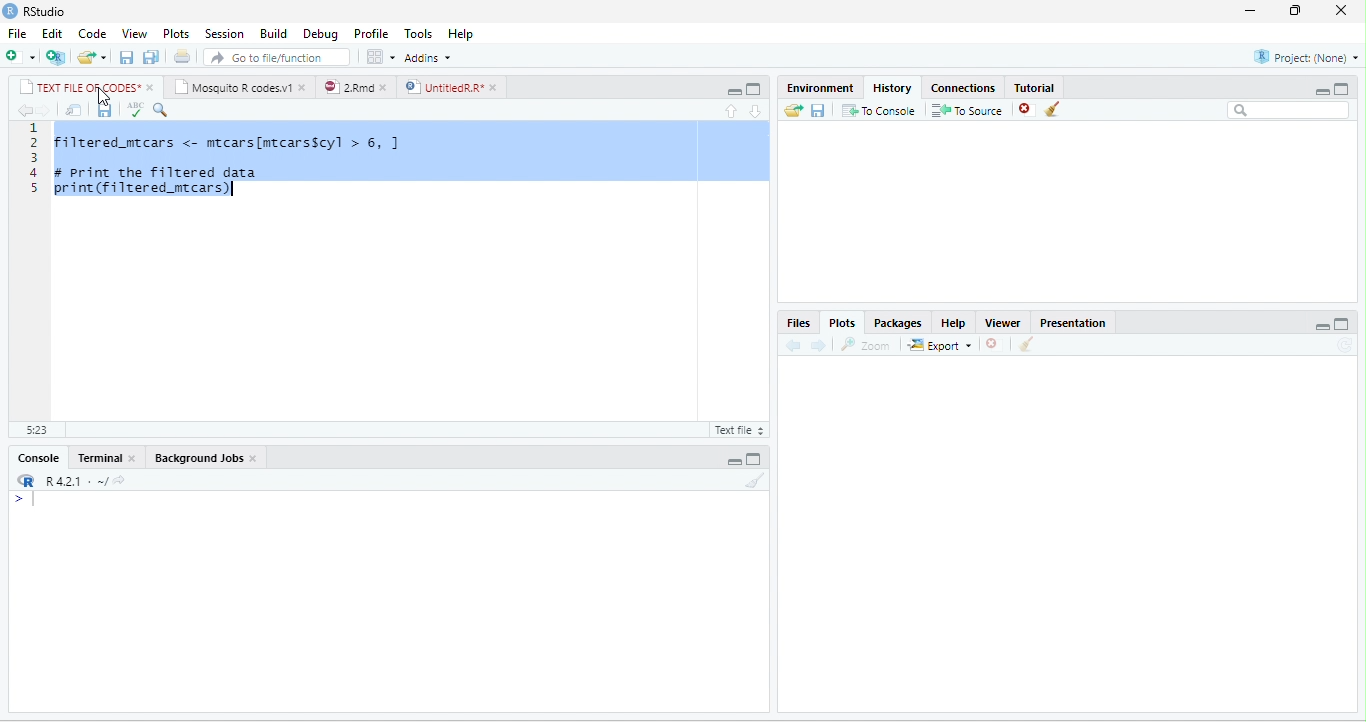 This screenshot has height=722, width=1366. Describe the element at coordinates (150, 57) in the screenshot. I see `save all` at that location.